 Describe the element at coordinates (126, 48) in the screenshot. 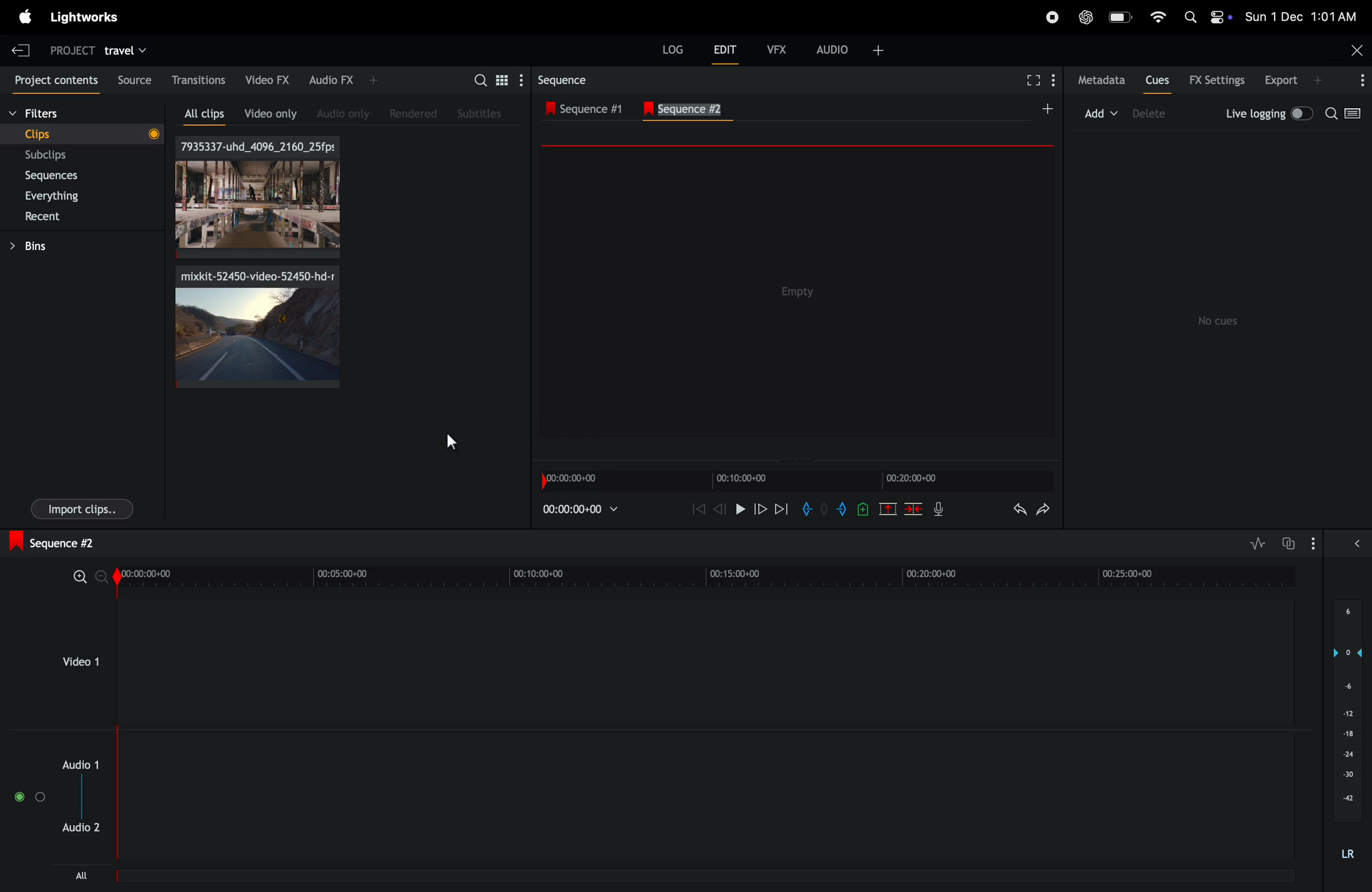

I see `travel` at that location.